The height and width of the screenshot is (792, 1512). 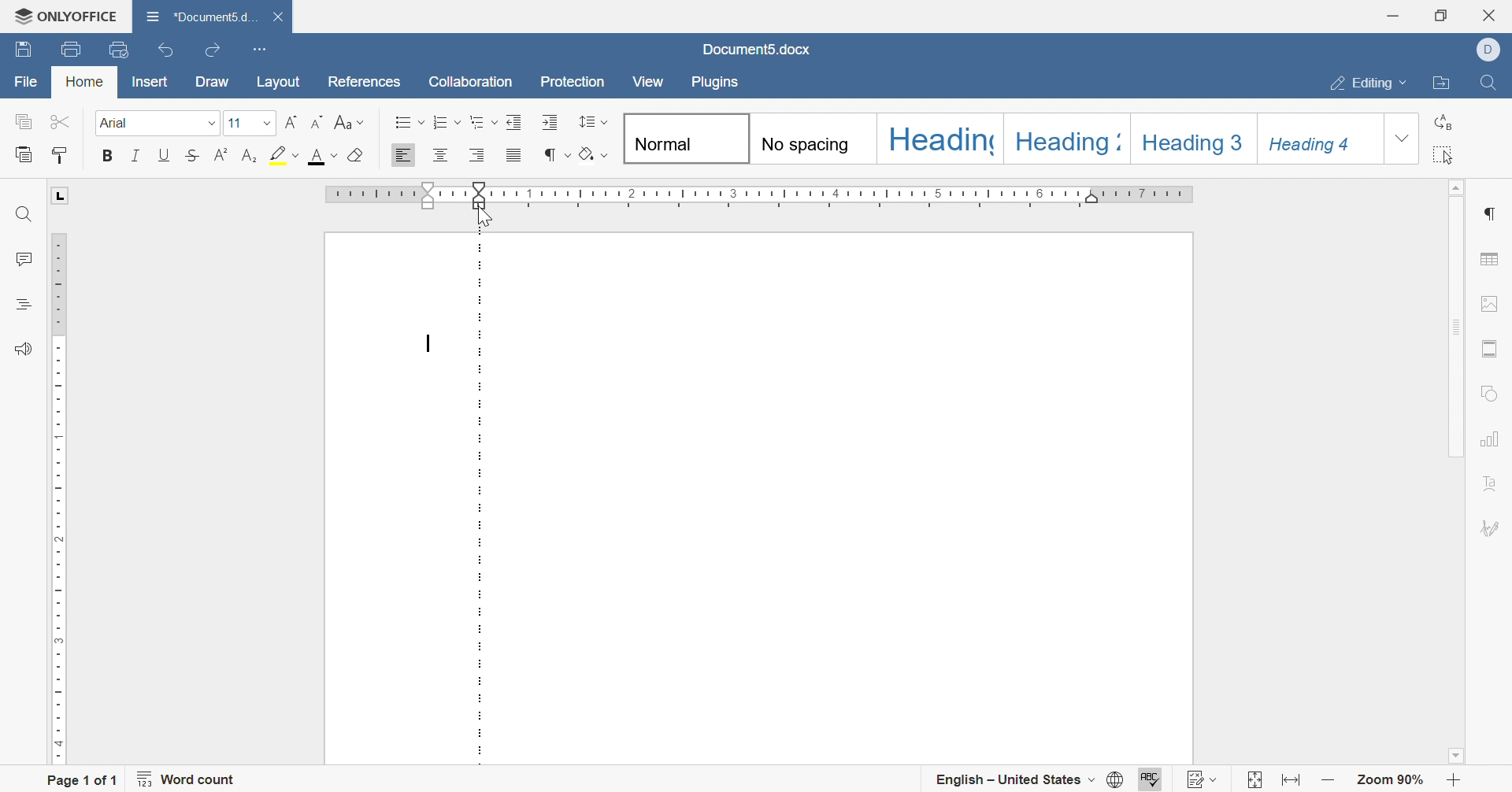 What do you see at coordinates (1492, 15) in the screenshot?
I see `close` at bounding box center [1492, 15].